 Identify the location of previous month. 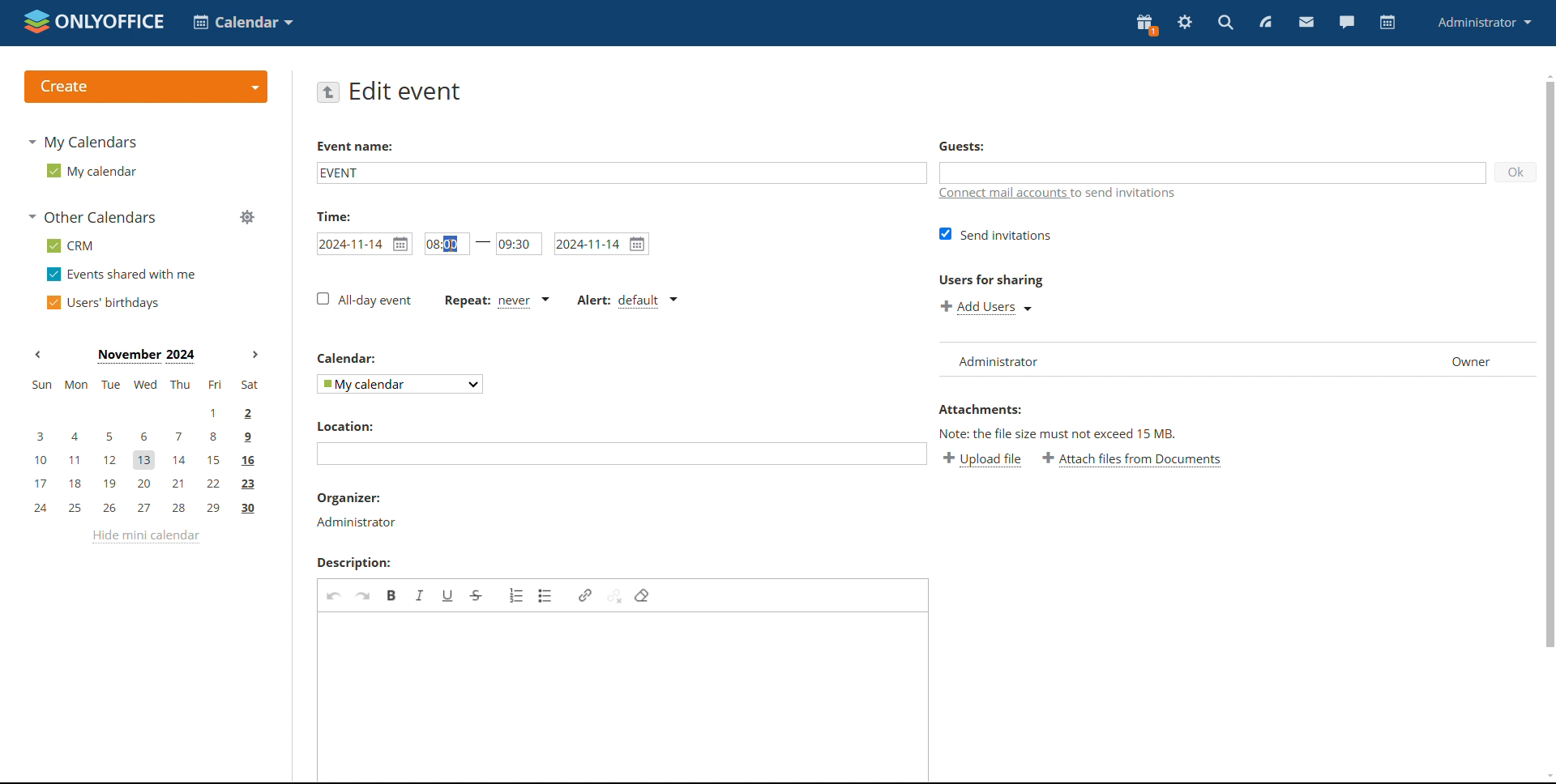
(41, 355).